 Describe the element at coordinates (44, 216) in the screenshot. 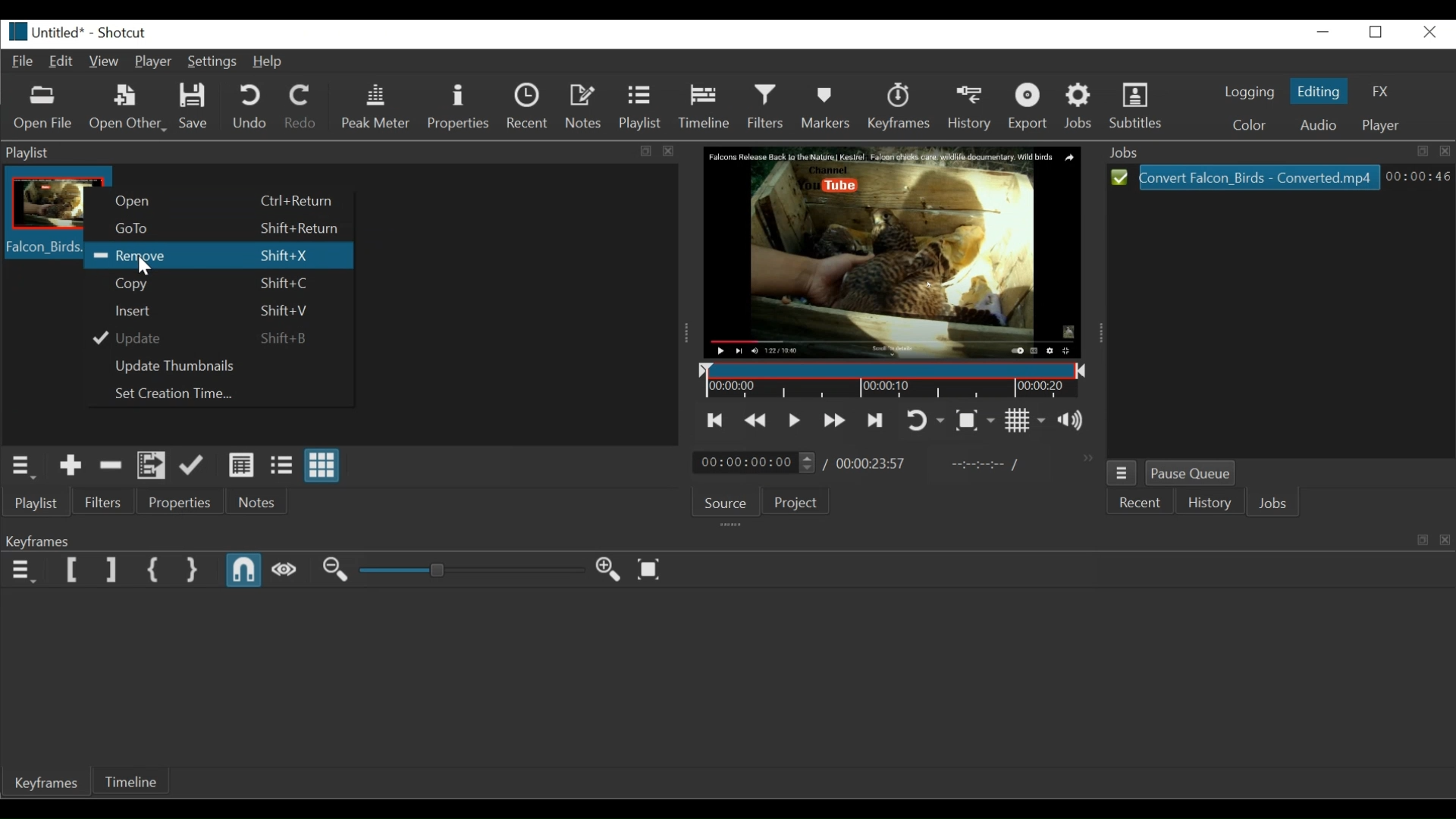

I see `Falcon_Birds.mp4(Clip thumbnail)` at that location.